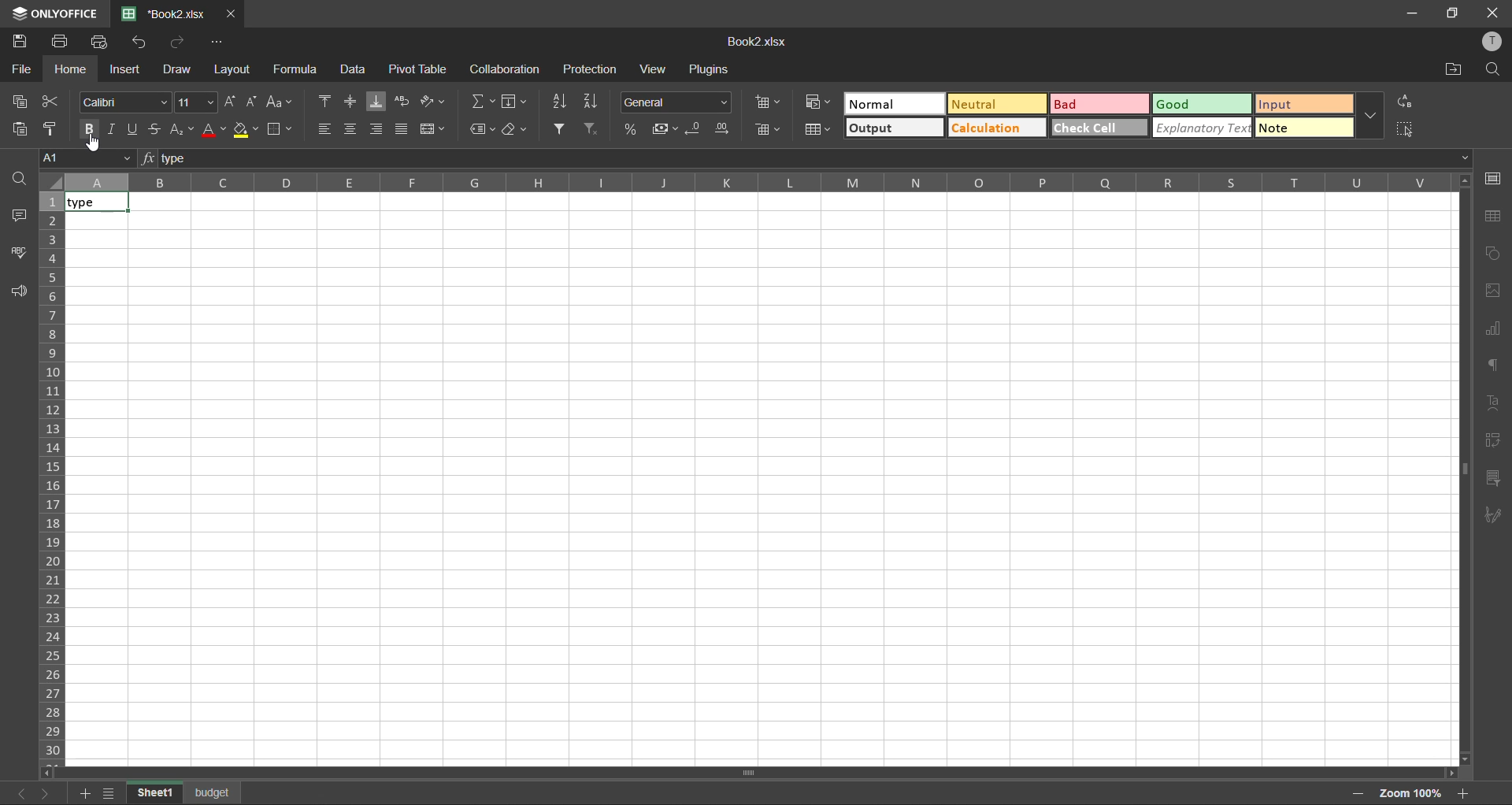 This screenshot has width=1512, height=805. What do you see at coordinates (506, 72) in the screenshot?
I see `collaboration` at bounding box center [506, 72].